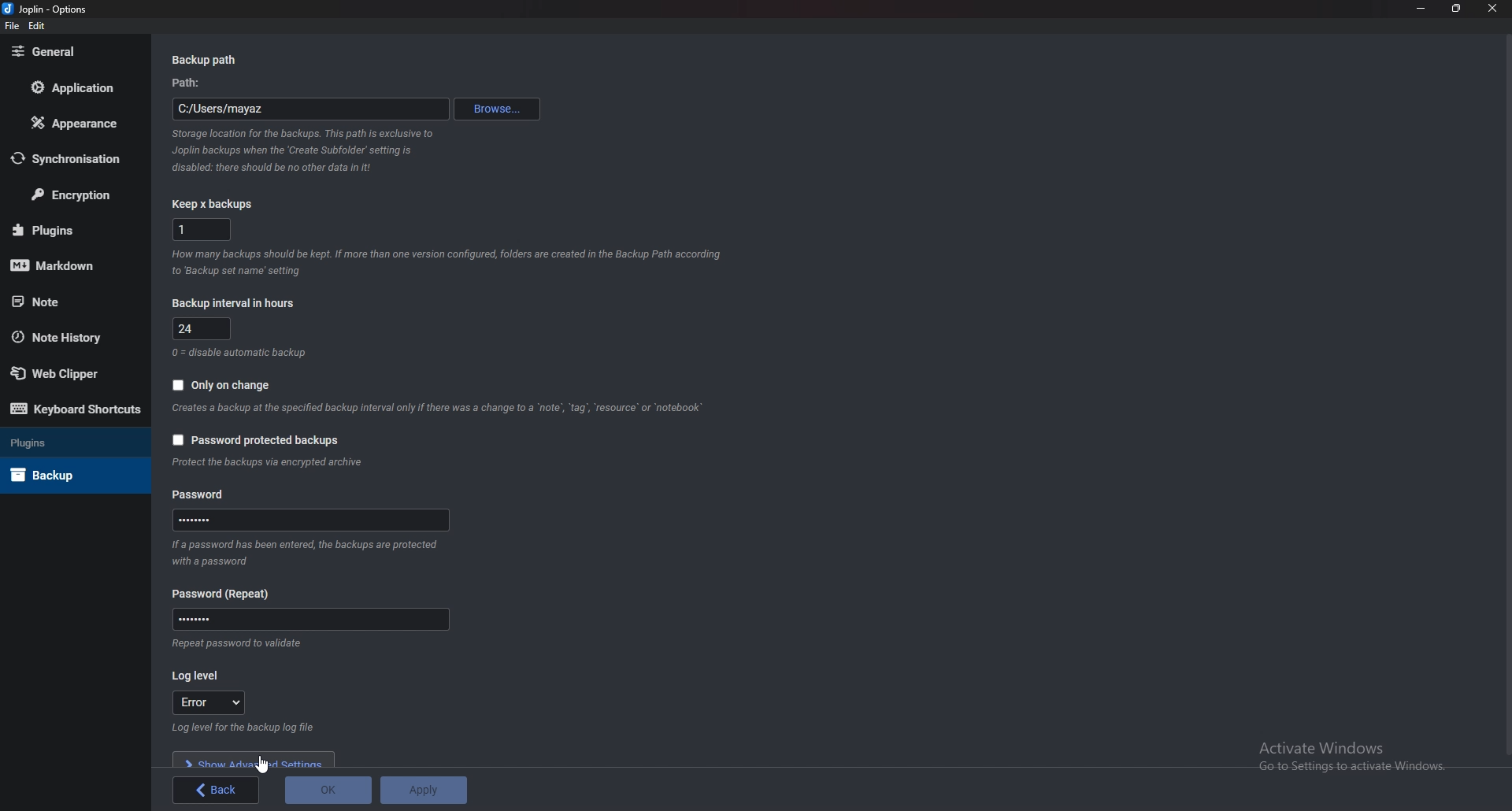 The image size is (1512, 811). I want to click on edit, so click(38, 25).